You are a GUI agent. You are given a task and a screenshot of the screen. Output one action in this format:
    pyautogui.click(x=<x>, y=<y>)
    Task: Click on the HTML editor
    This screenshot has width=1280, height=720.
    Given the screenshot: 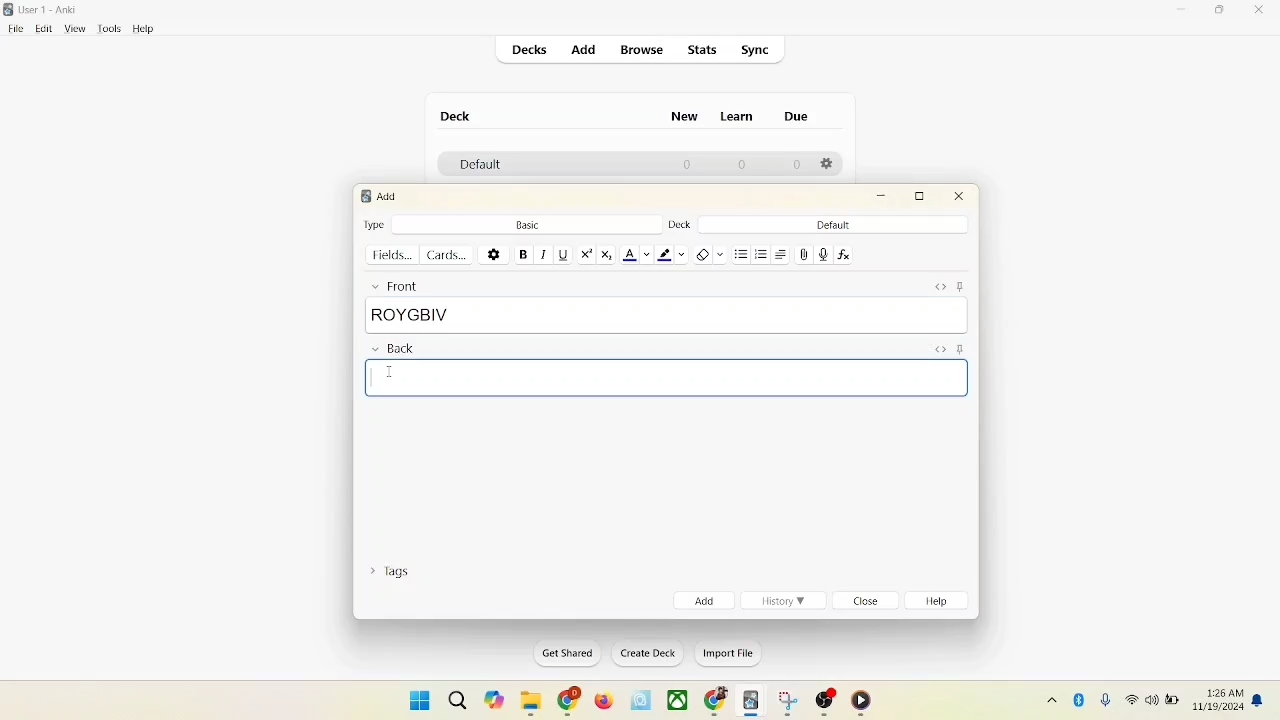 What is the action you would take?
    pyautogui.click(x=940, y=286)
    